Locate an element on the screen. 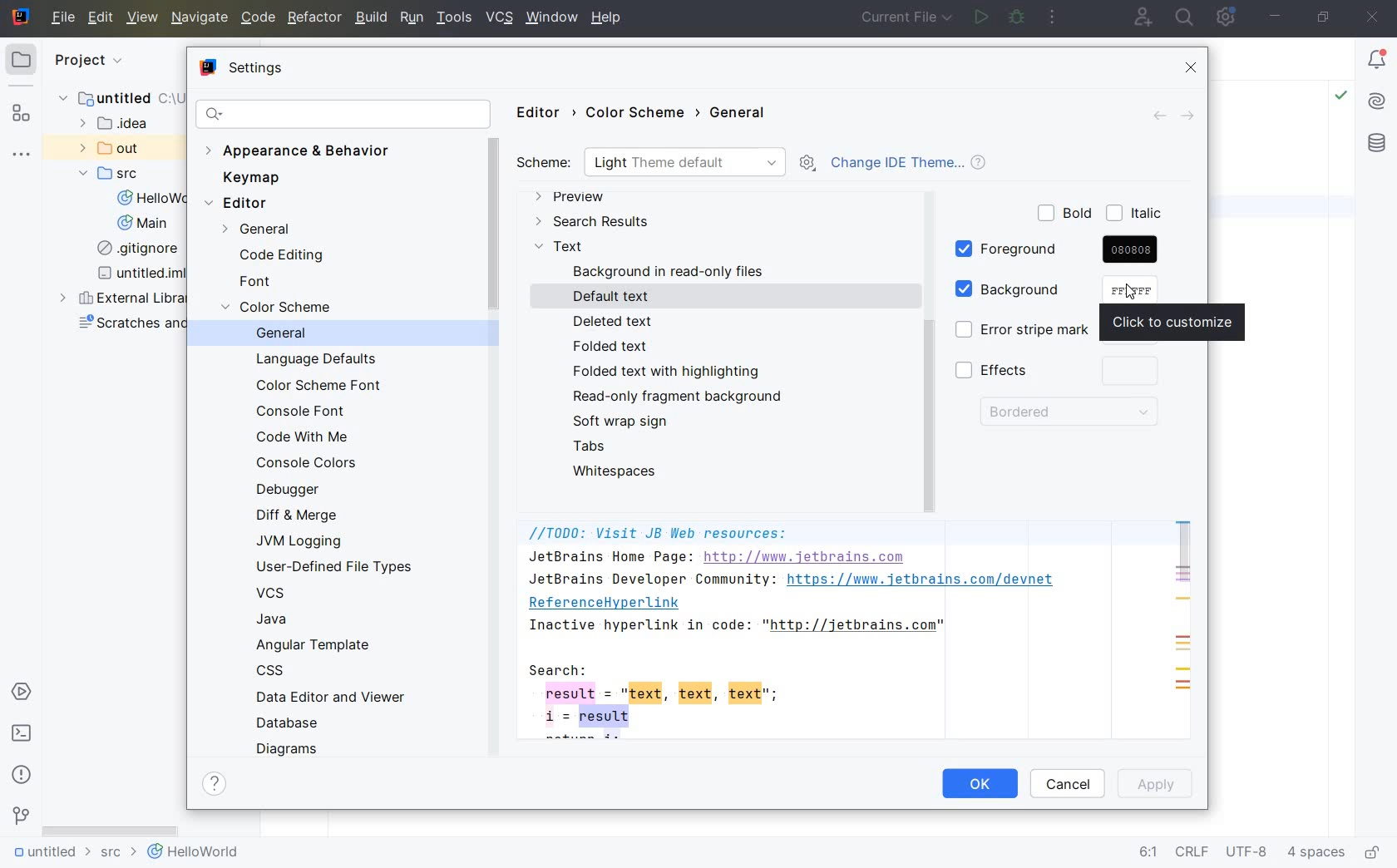 The height and width of the screenshot is (868, 1397). untitled is located at coordinates (48, 855).